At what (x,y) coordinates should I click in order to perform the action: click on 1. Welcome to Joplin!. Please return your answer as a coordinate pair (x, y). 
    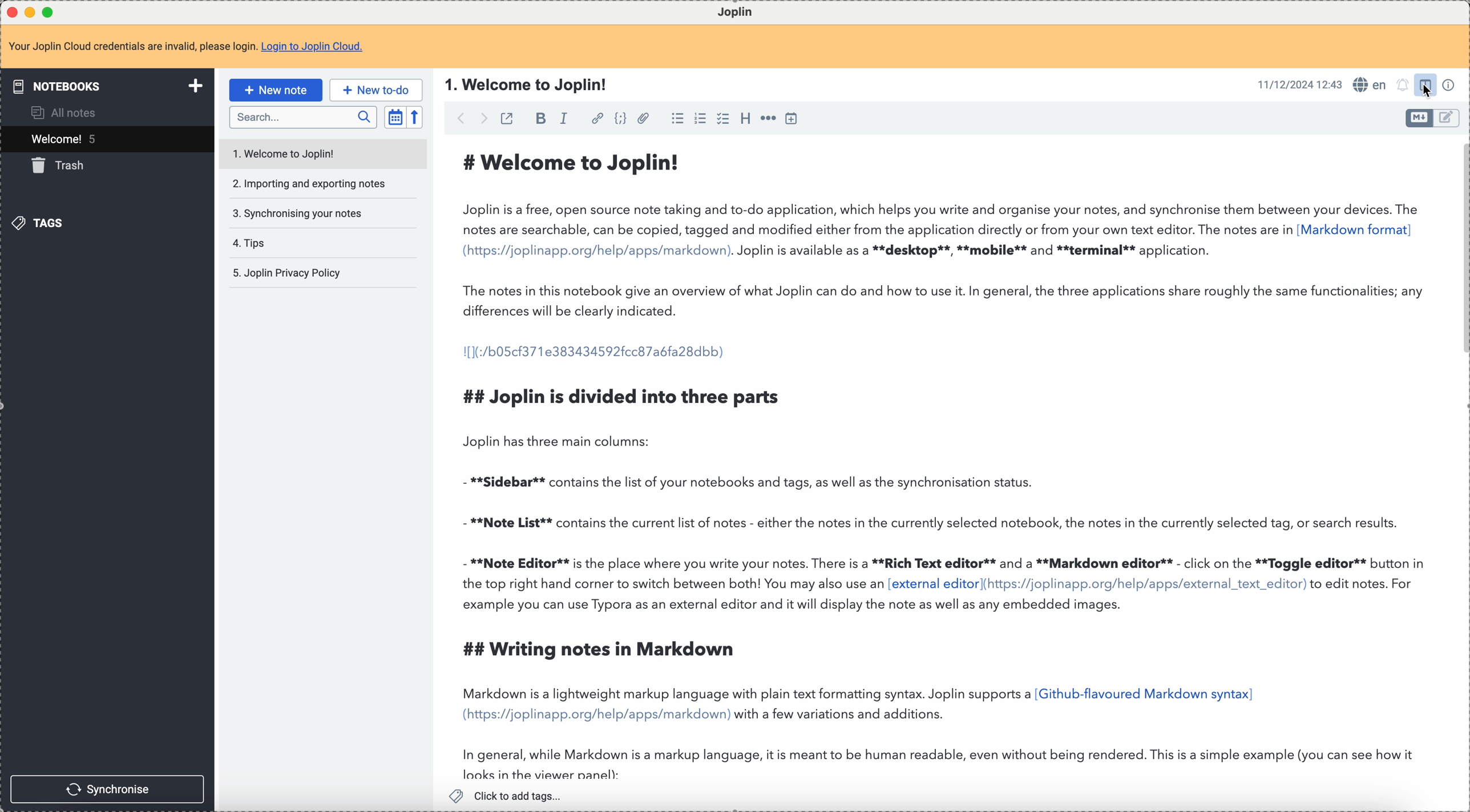
    Looking at the image, I should click on (530, 84).